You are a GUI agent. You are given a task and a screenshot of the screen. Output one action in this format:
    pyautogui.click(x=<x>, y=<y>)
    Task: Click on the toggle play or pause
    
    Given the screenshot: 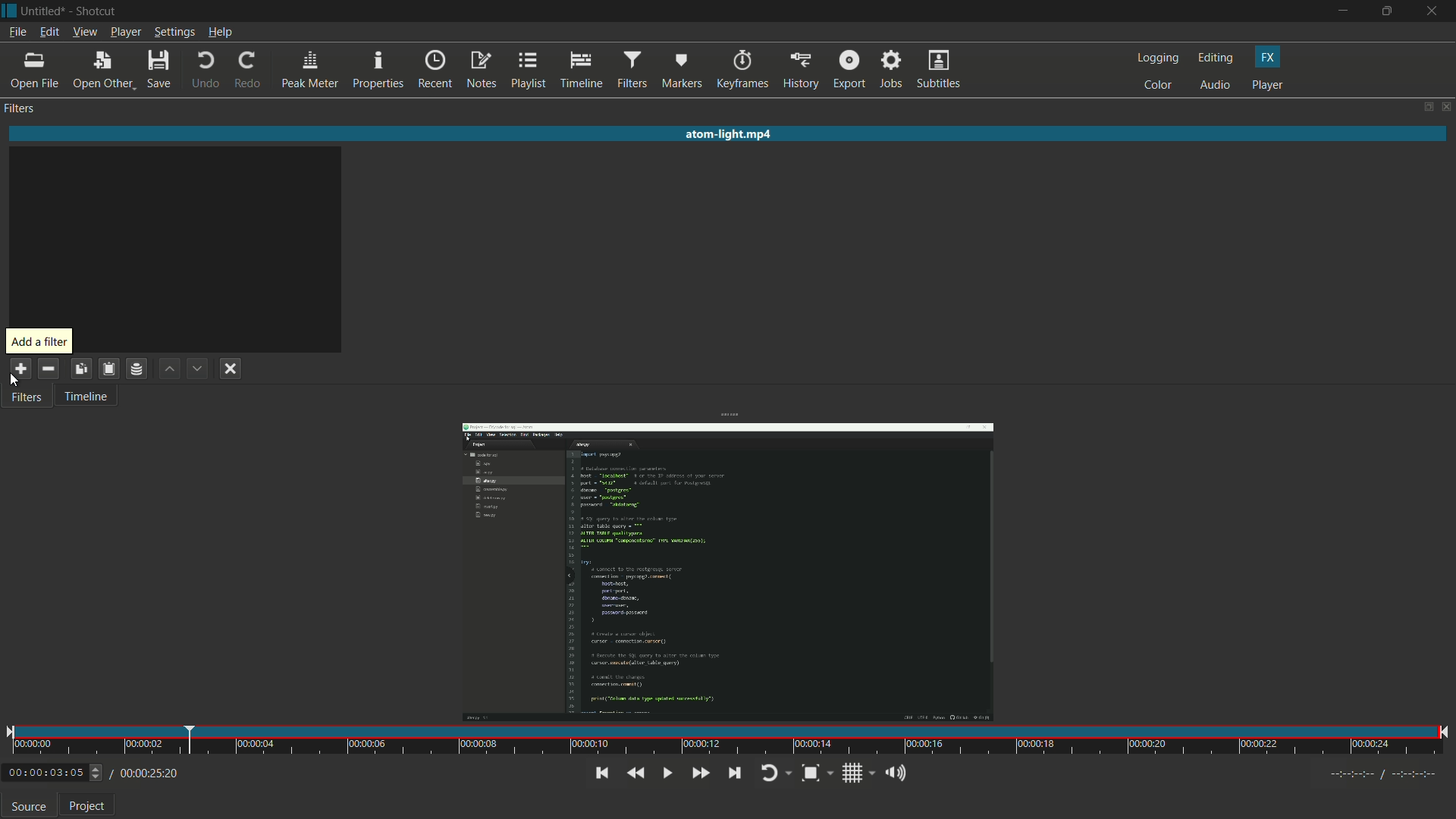 What is the action you would take?
    pyautogui.click(x=668, y=773)
    